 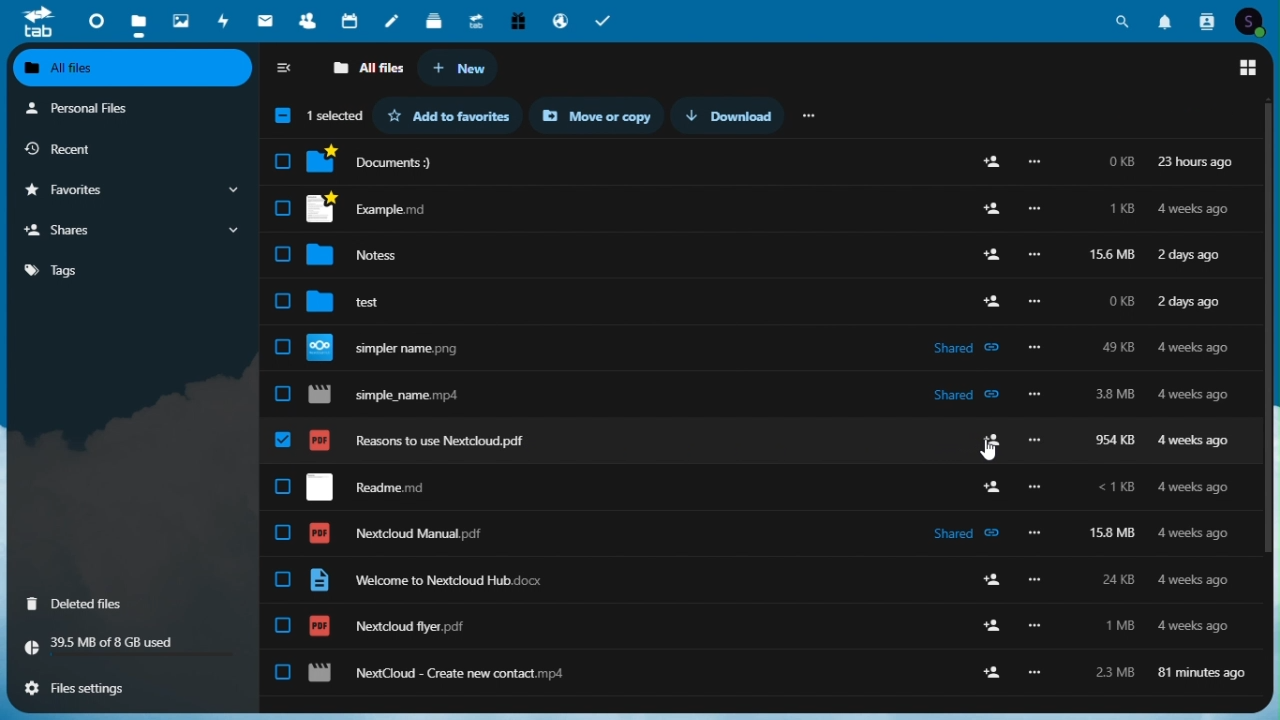 I want to click on  add user, so click(x=993, y=211).